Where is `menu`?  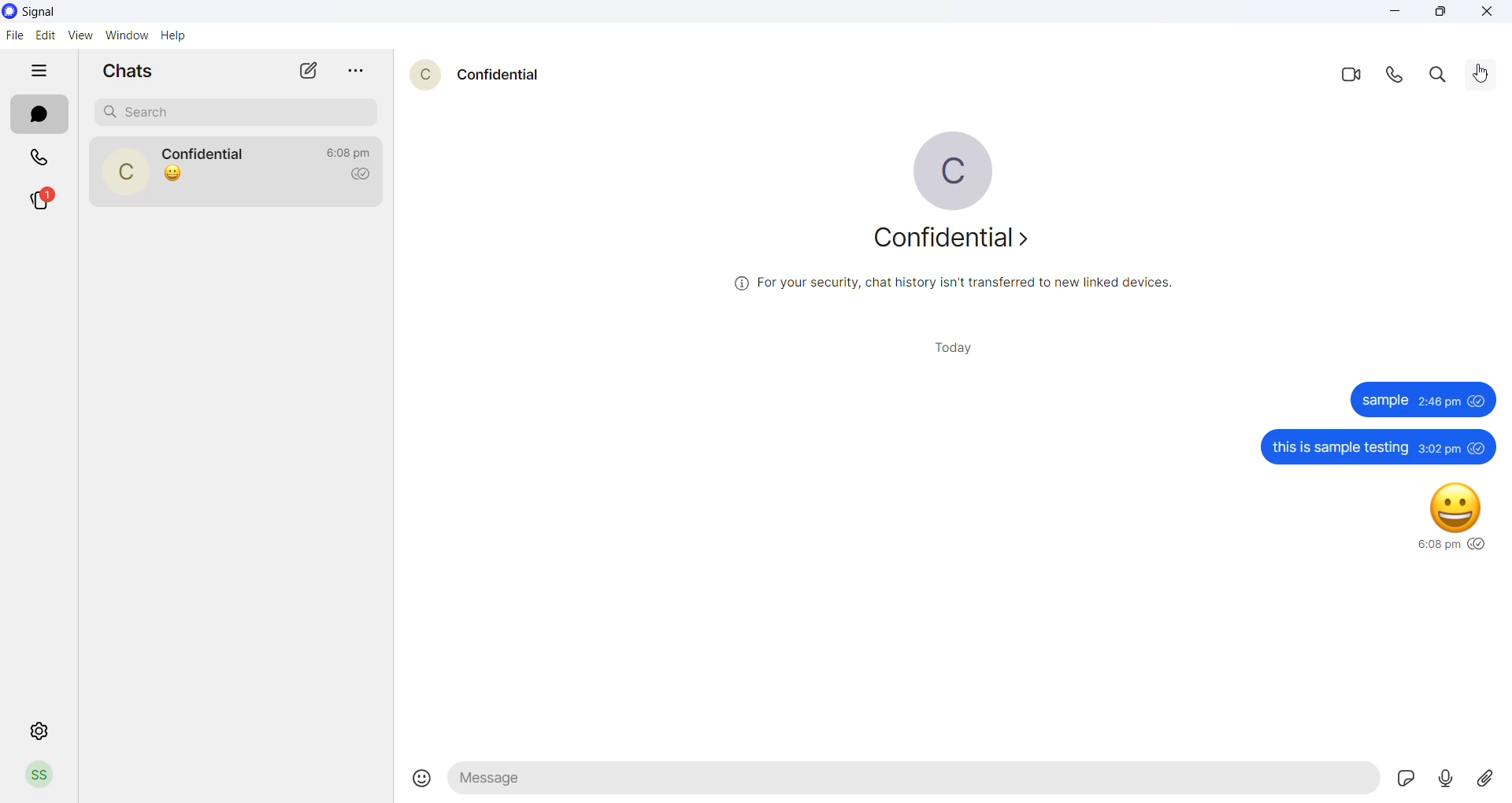
menu is located at coordinates (1485, 72).